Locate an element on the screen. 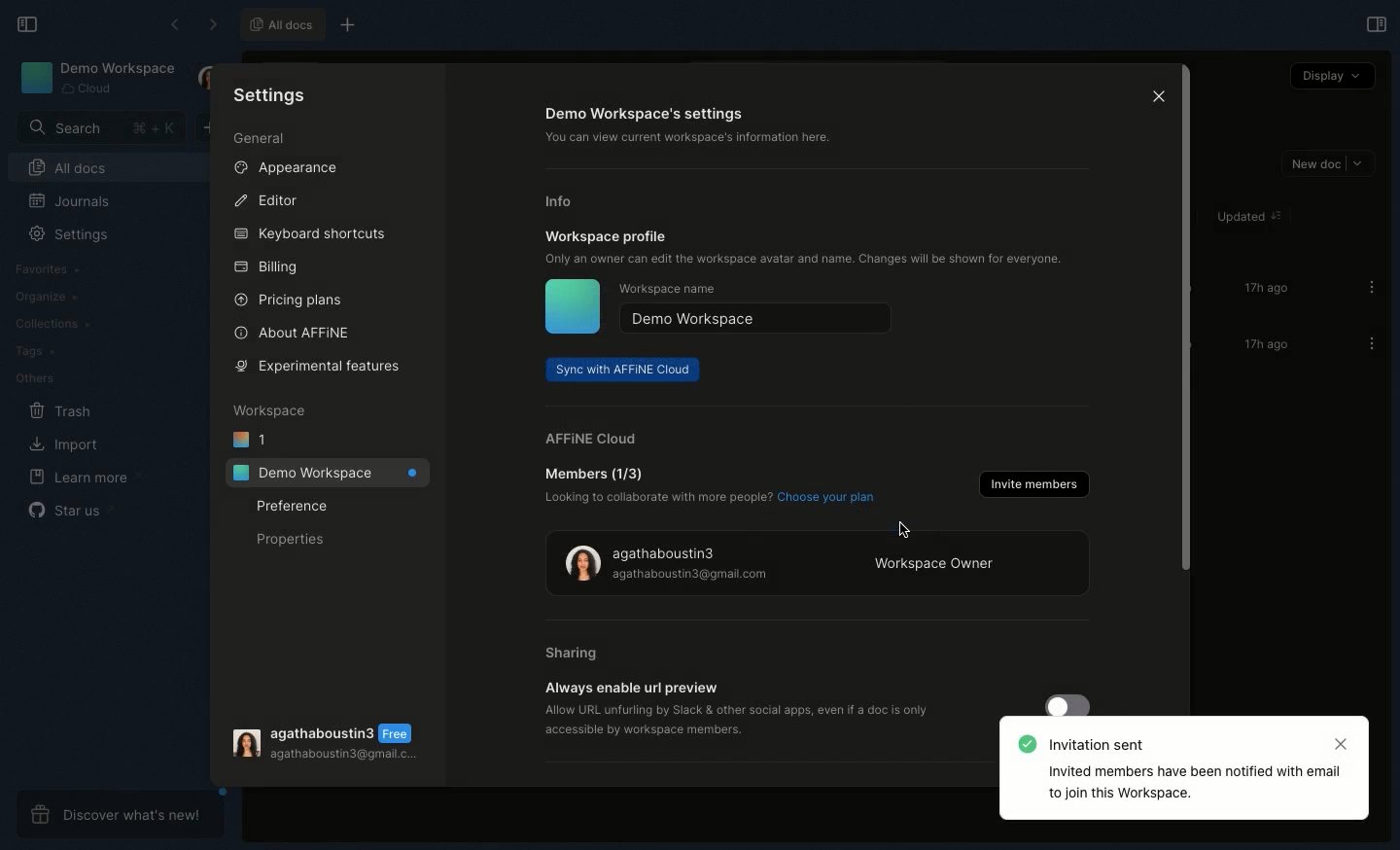  Billing is located at coordinates (264, 267).